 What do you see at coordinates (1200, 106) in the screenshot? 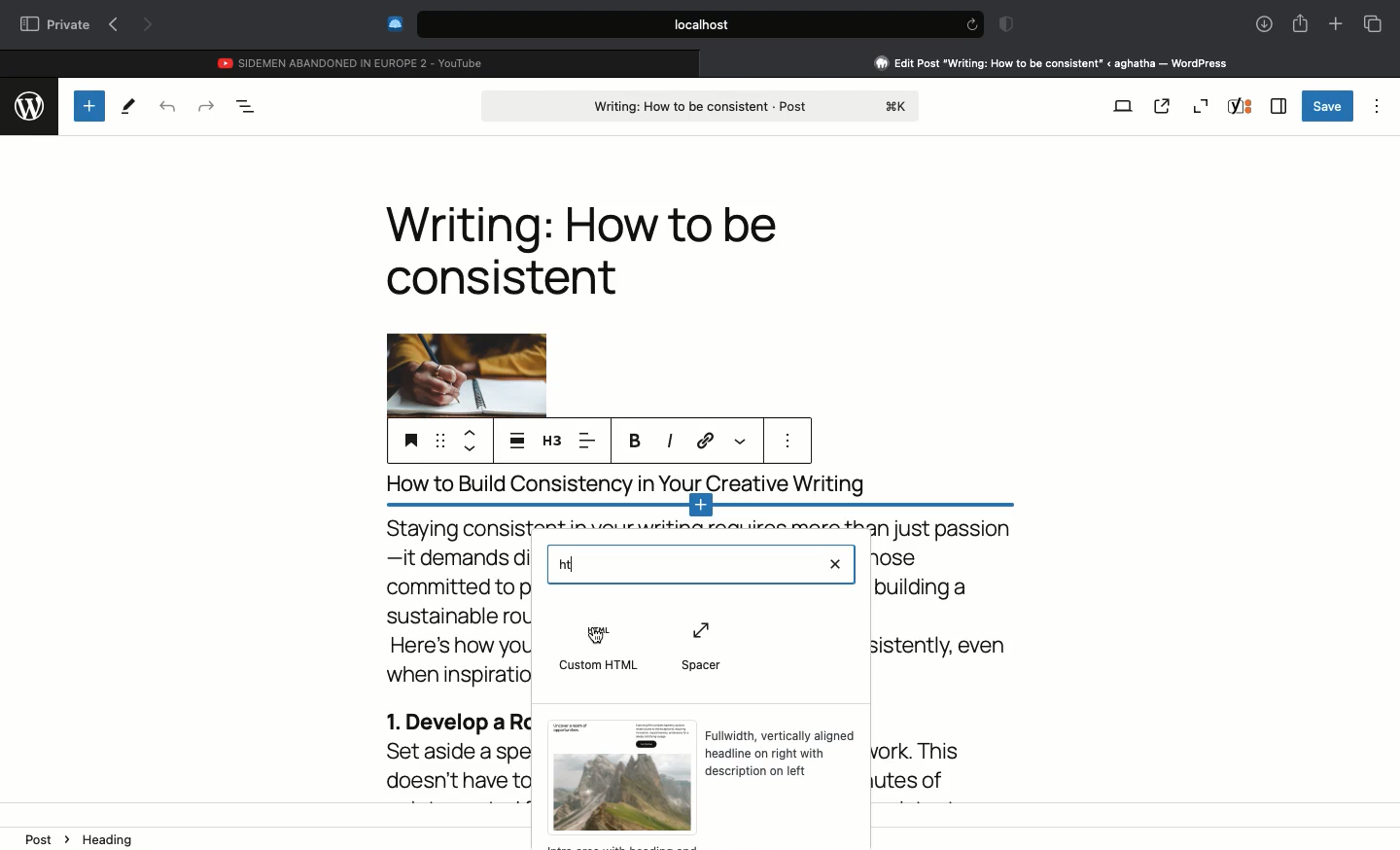
I see `Zoom out` at bounding box center [1200, 106].